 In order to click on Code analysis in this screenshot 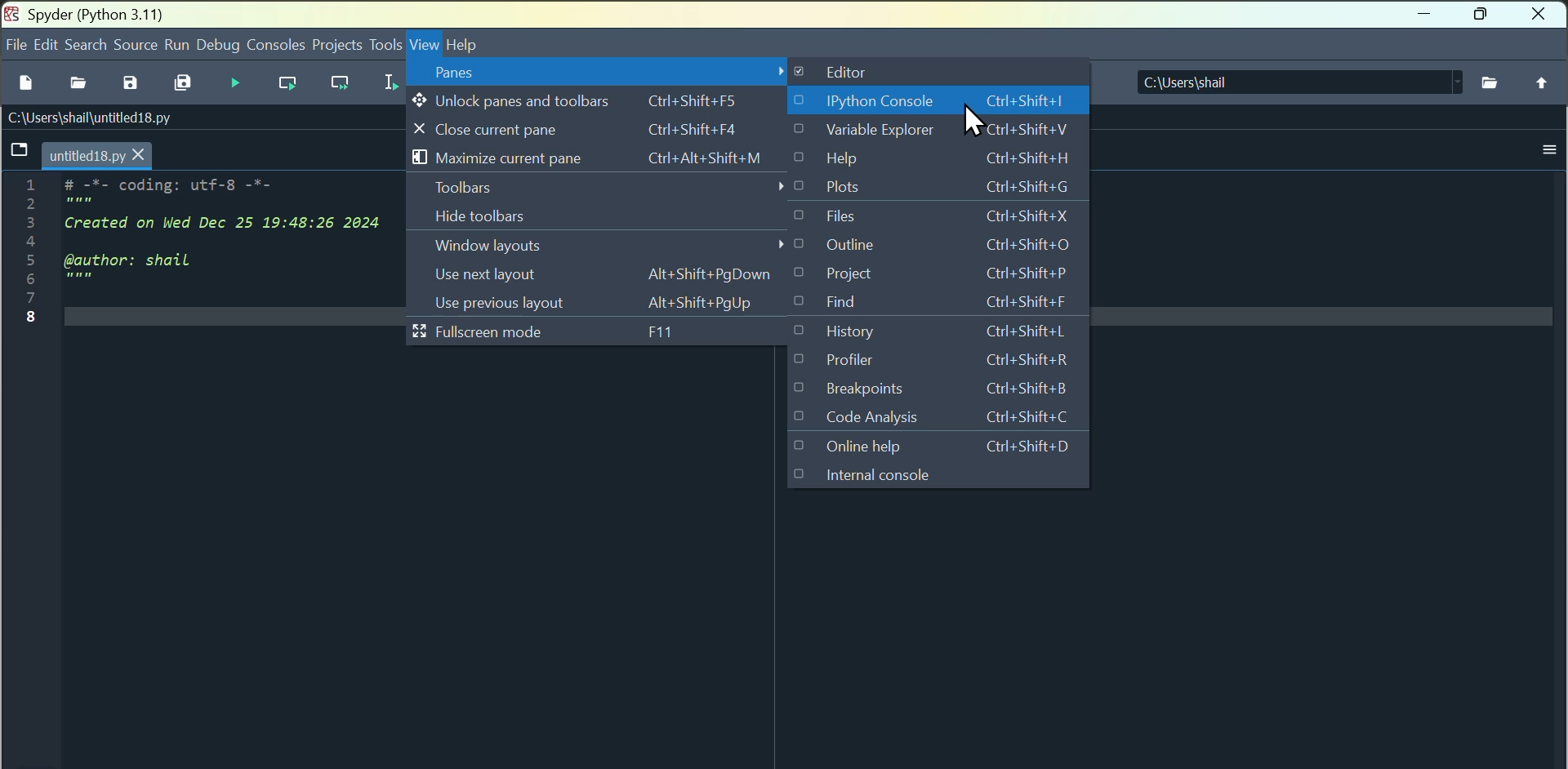, I will do `click(937, 417)`.